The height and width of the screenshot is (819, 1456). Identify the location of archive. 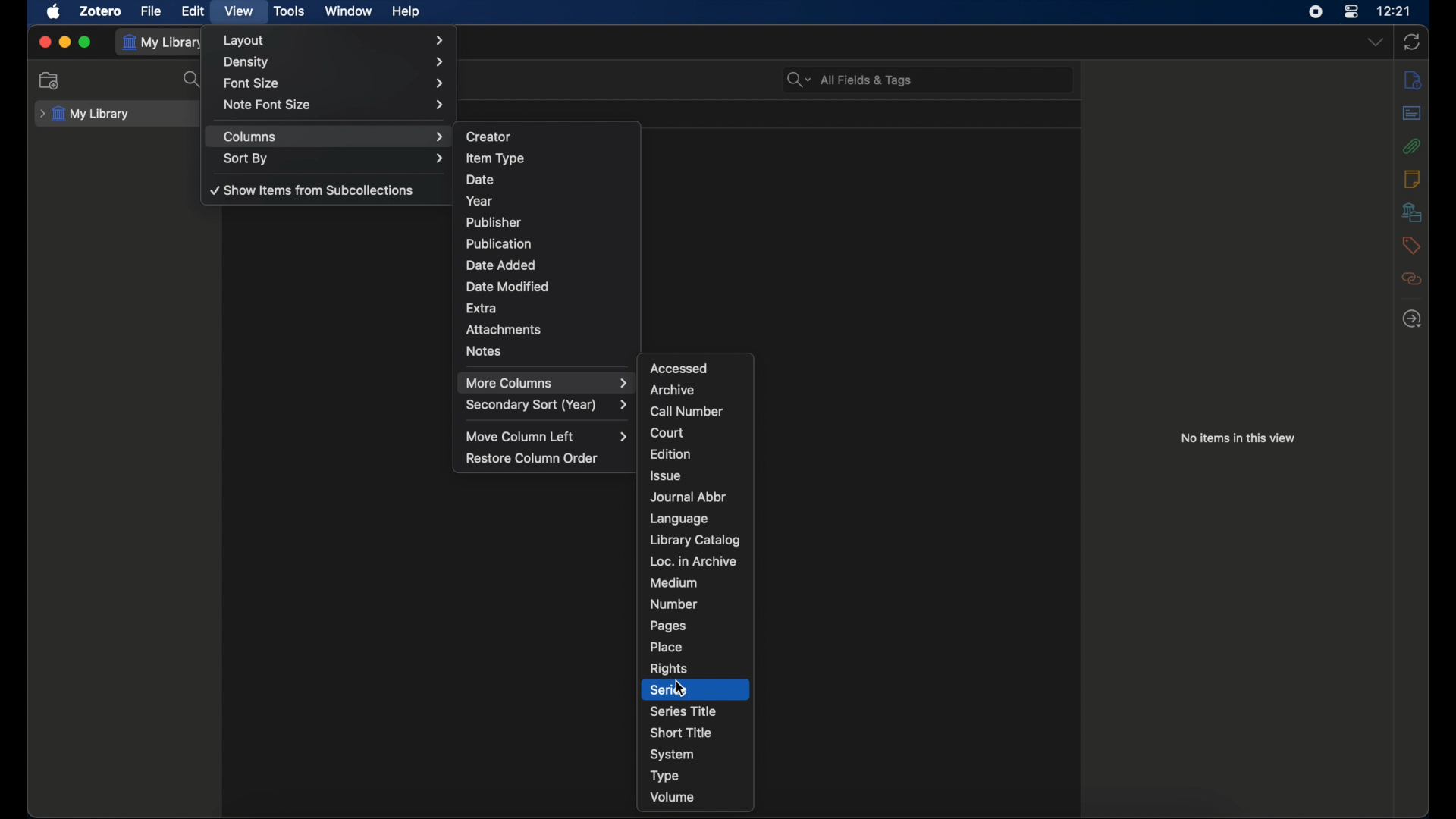
(673, 391).